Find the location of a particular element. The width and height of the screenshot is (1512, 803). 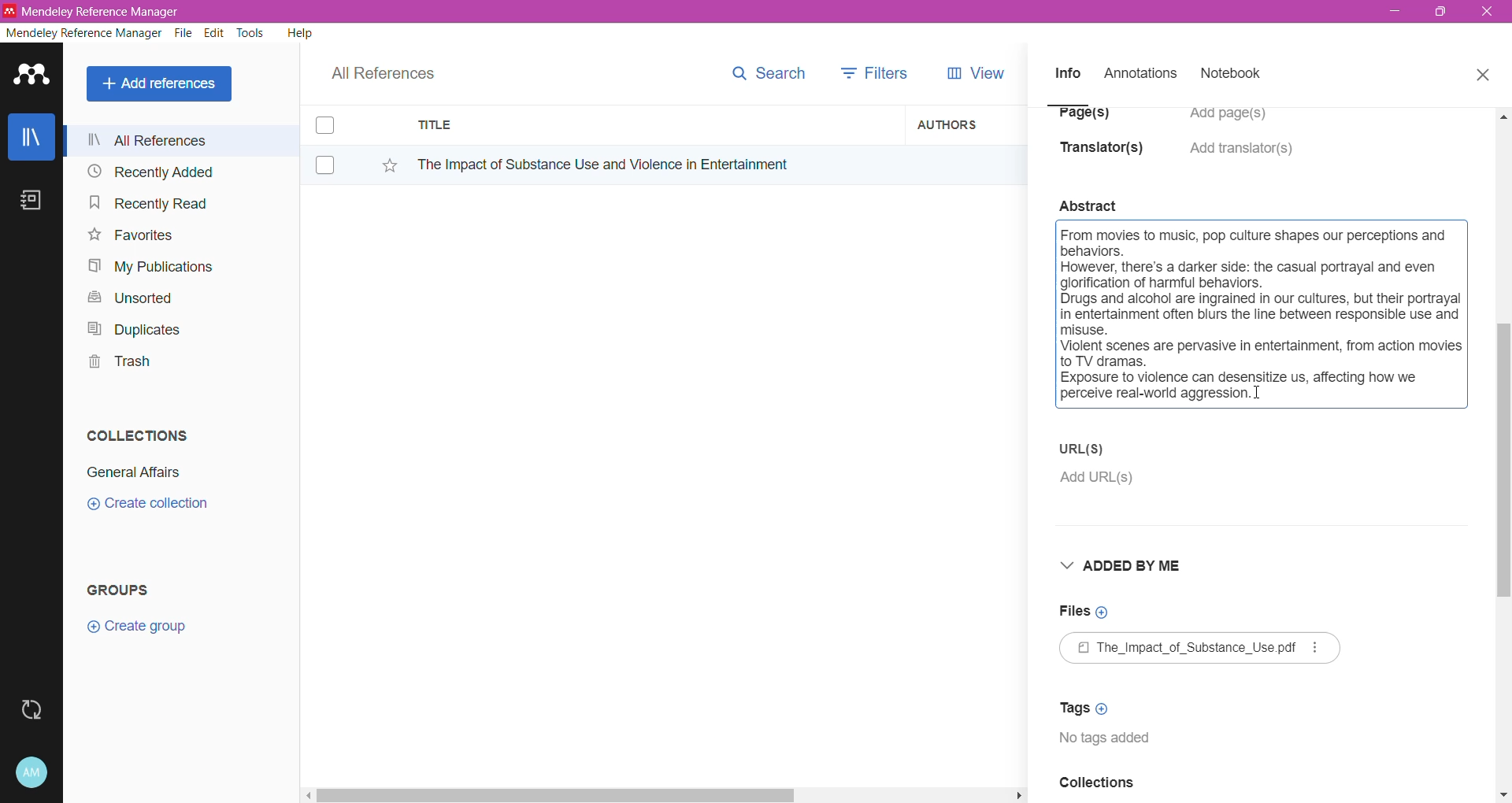

Title is located at coordinates (654, 125).